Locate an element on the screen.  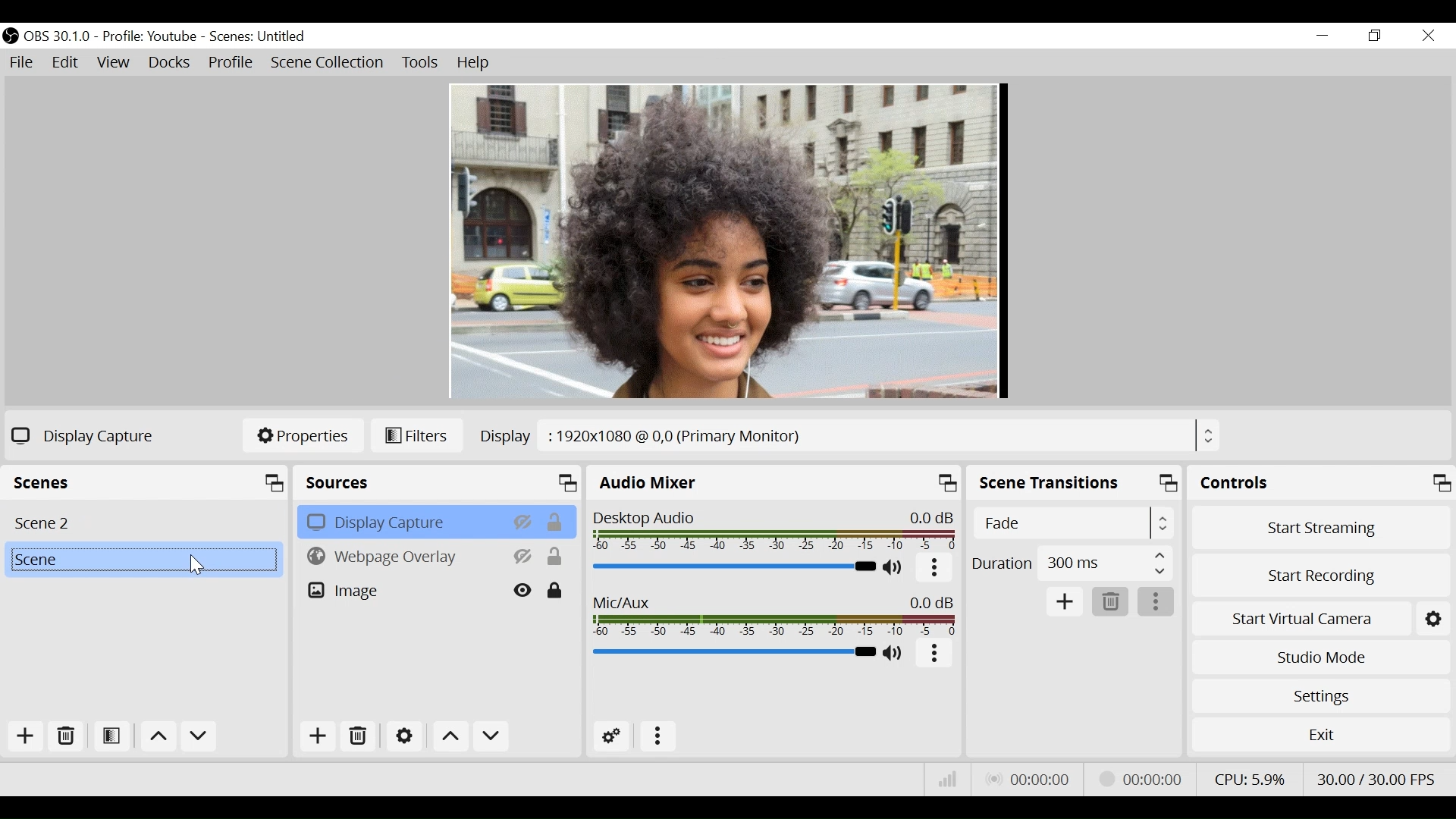
(un)lock is located at coordinates (556, 521).